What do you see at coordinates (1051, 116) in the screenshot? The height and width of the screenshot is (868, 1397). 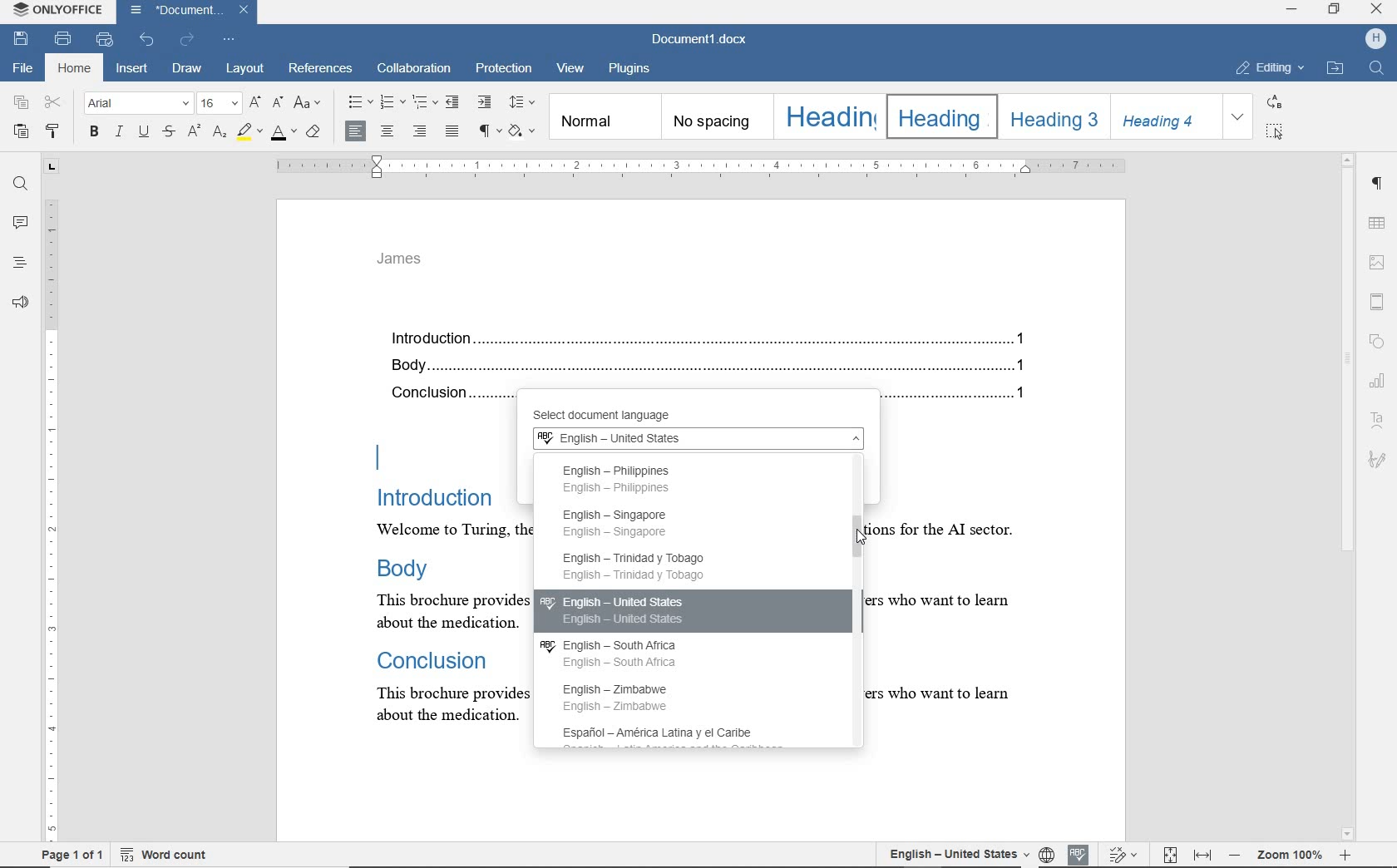 I see `Heading 3` at bounding box center [1051, 116].